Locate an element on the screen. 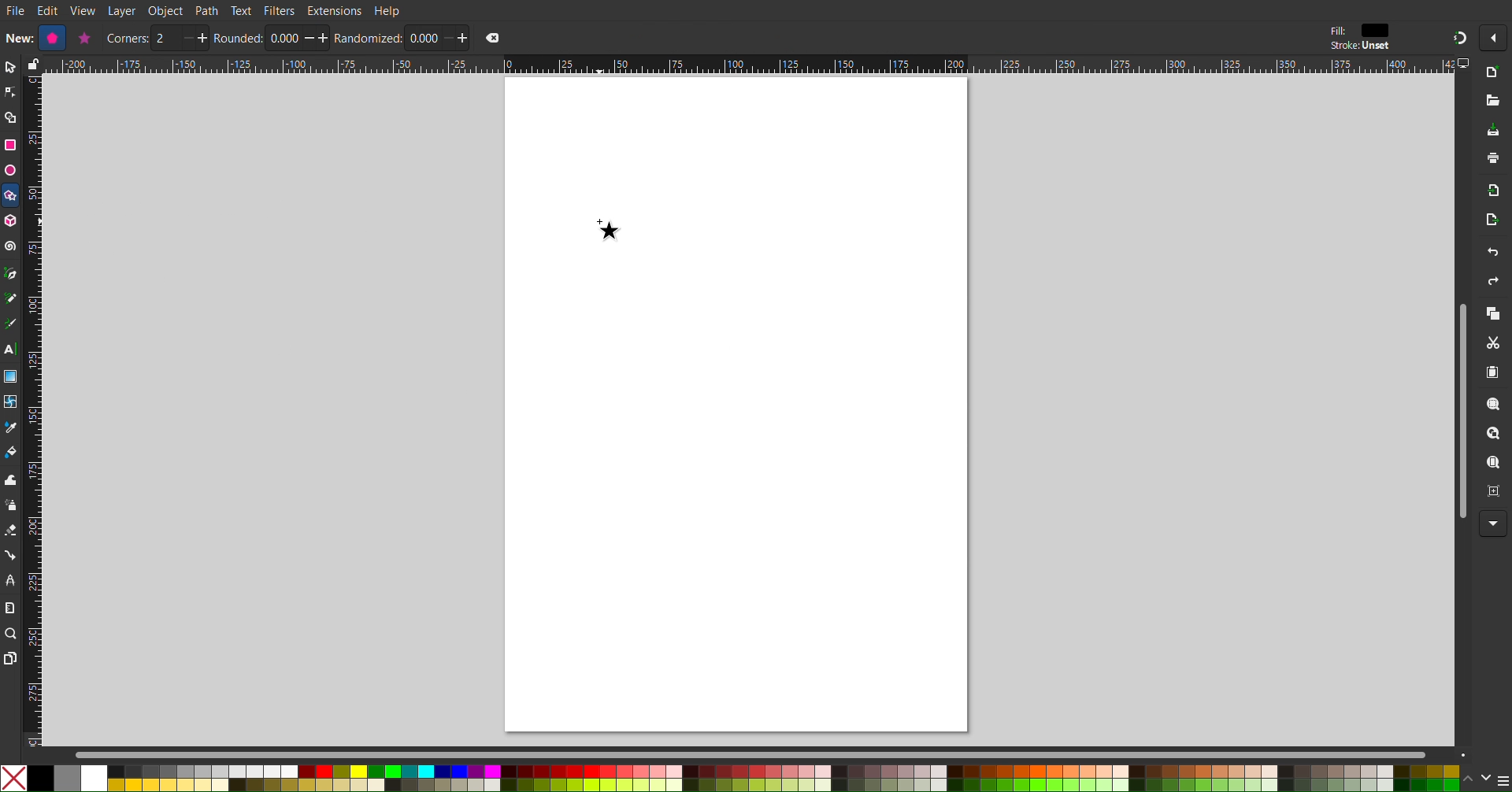  Polygon/Star is located at coordinates (11, 198).